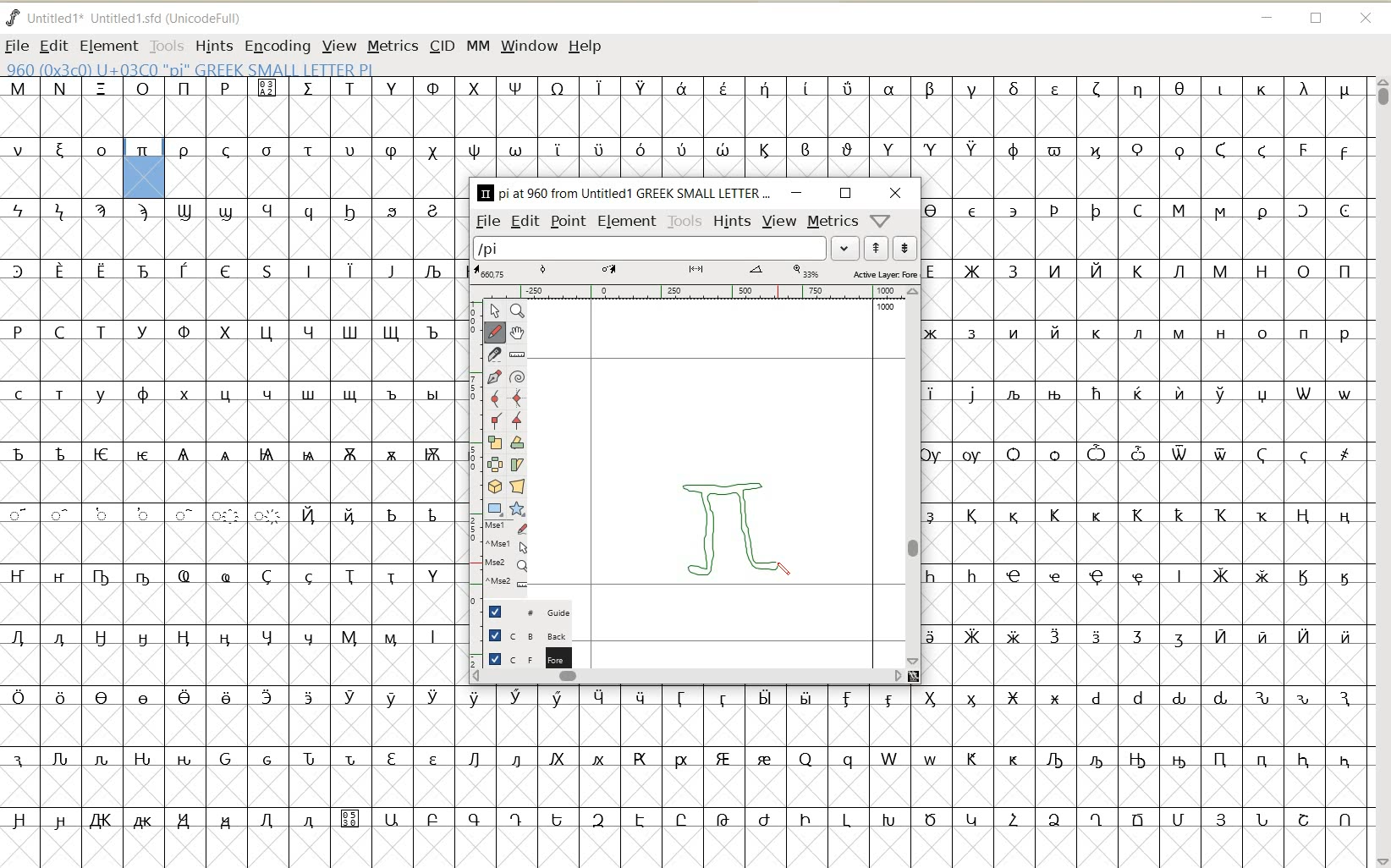 The height and width of the screenshot is (868, 1391). What do you see at coordinates (889, 248) in the screenshot?
I see `show previous/next word list` at bounding box center [889, 248].